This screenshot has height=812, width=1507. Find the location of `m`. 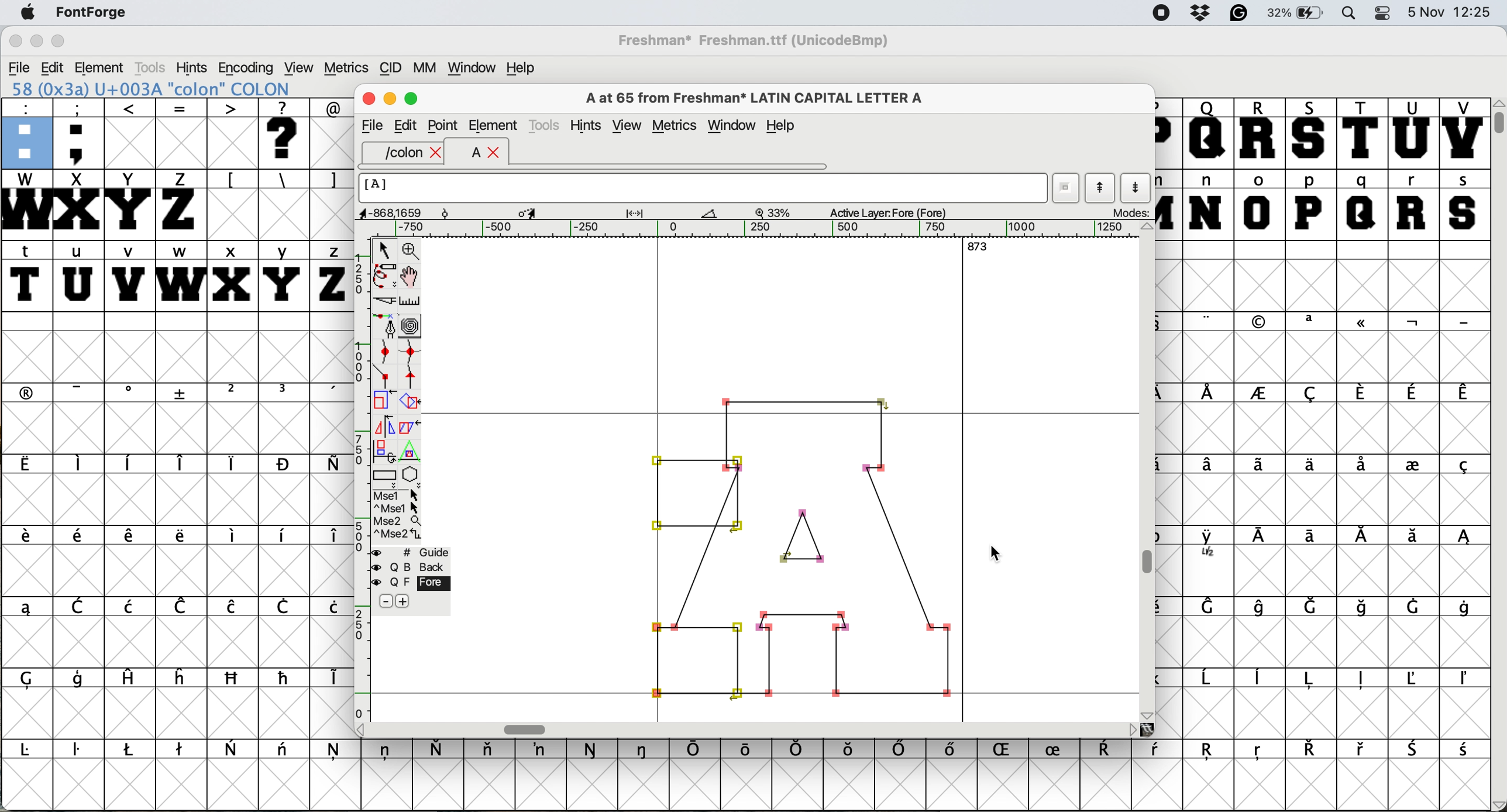

m is located at coordinates (1169, 204).